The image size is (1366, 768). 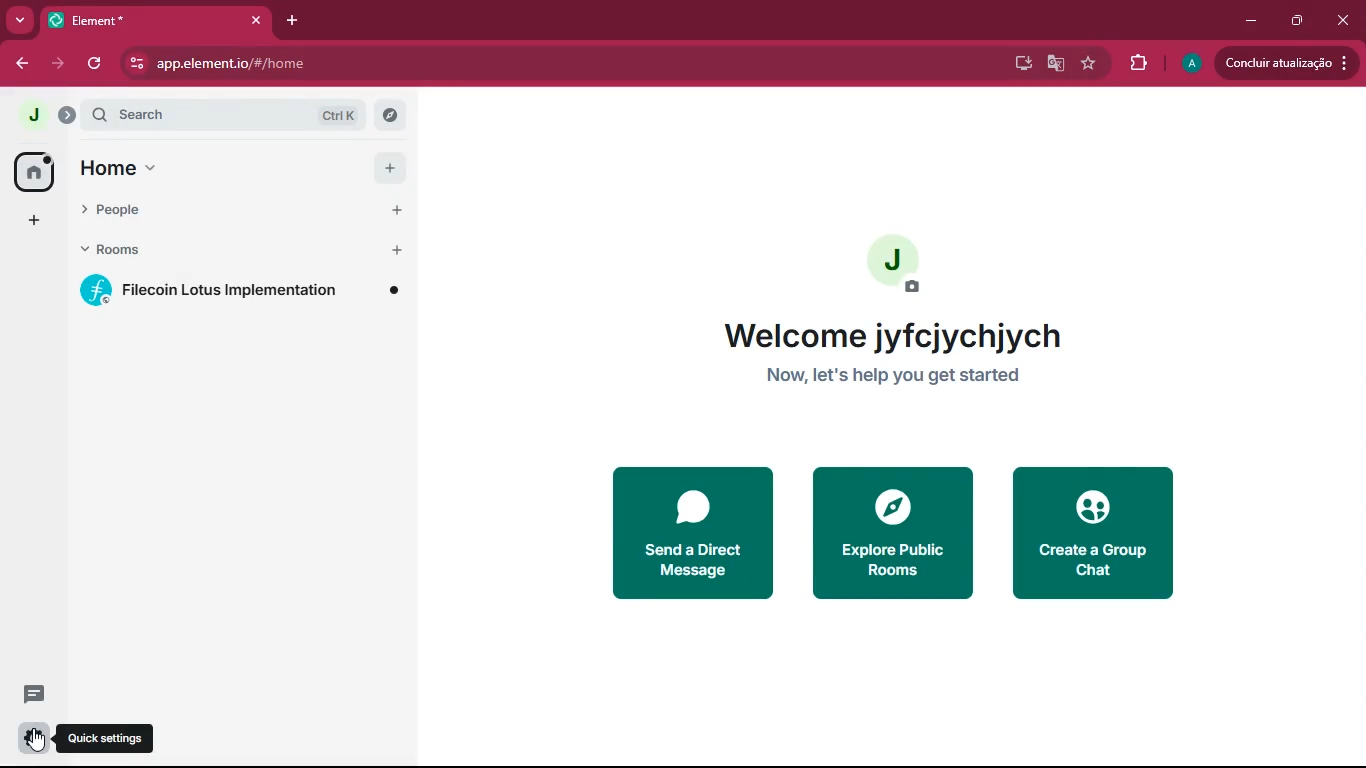 I want to click on back, so click(x=19, y=61).